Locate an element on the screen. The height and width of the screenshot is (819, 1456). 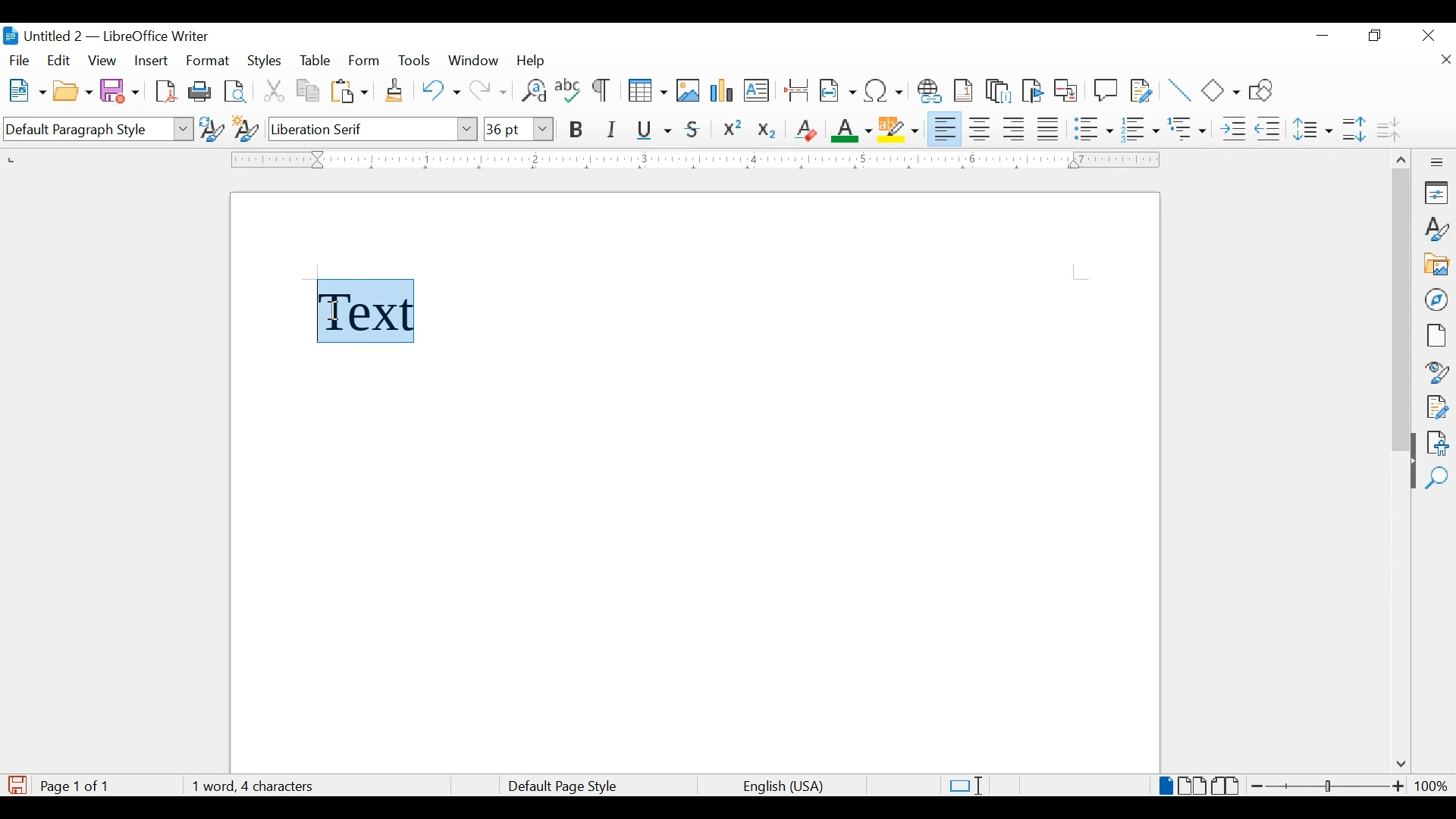
view is located at coordinates (104, 61).